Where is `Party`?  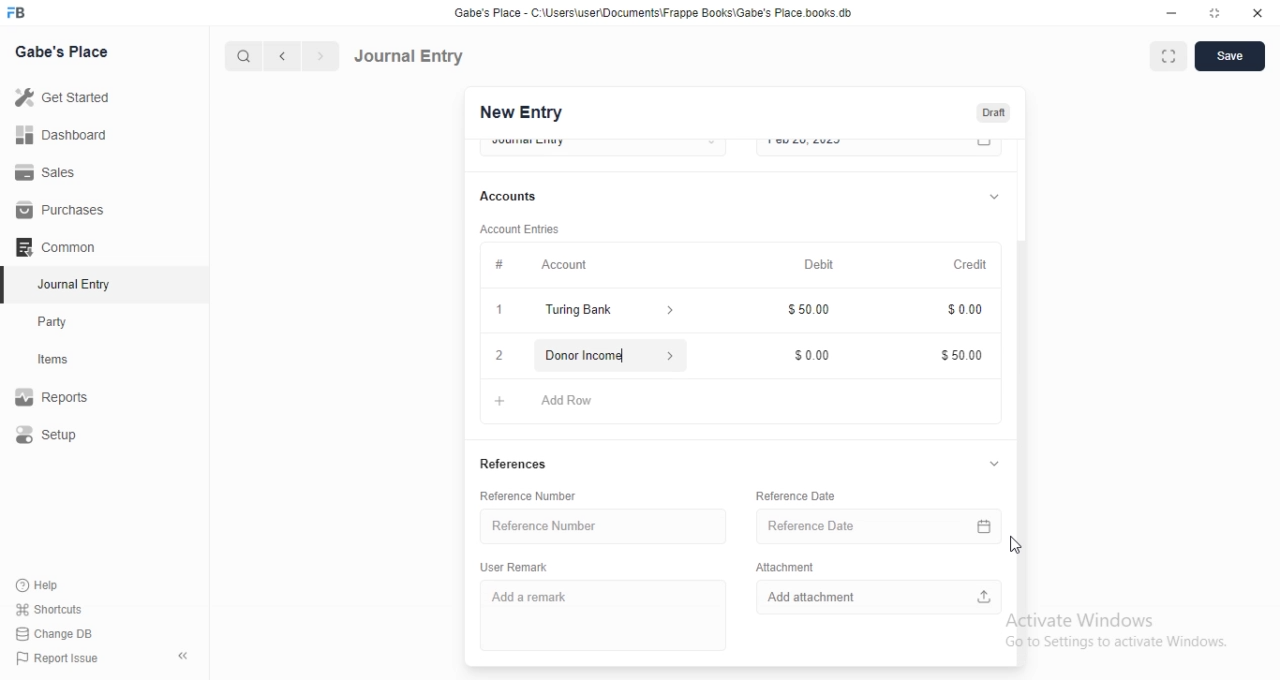 Party is located at coordinates (66, 322).